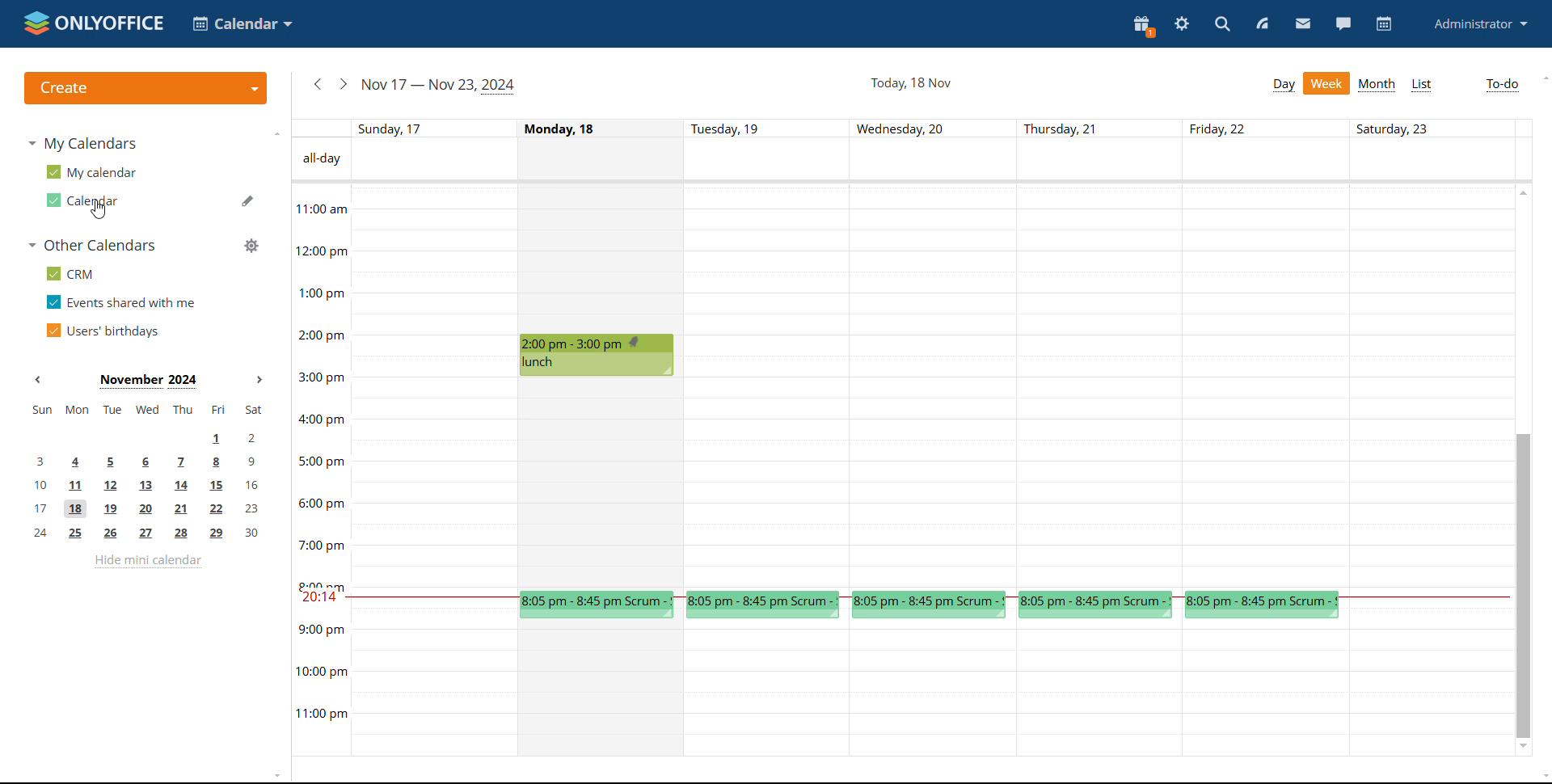 This screenshot has height=784, width=1552. What do you see at coordinates (1378, 85) in the screenshot?
I see `month view` at bounding box center [1378, 85].